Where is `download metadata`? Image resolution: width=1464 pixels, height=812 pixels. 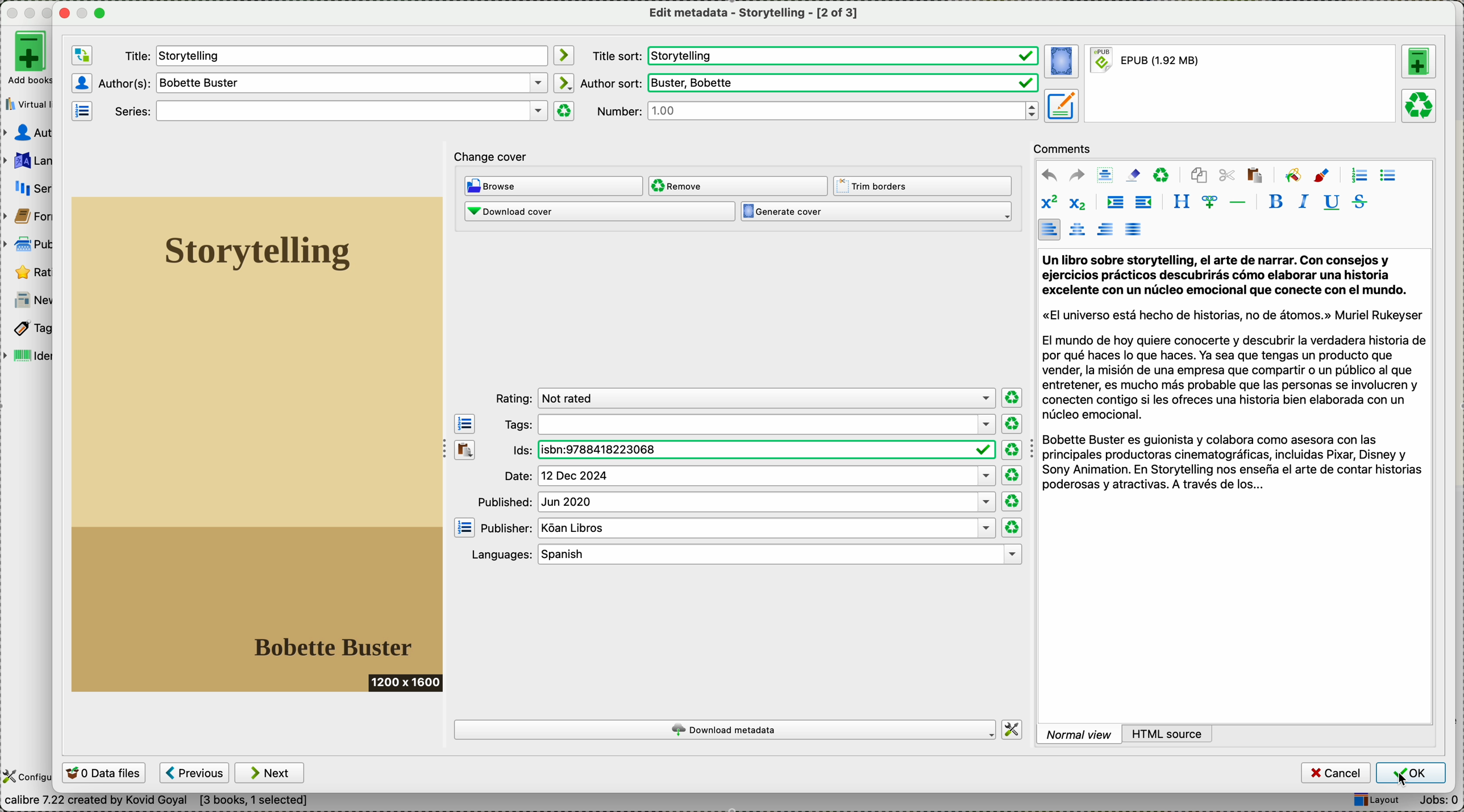 download metadata is located at coordinates (725, 730).